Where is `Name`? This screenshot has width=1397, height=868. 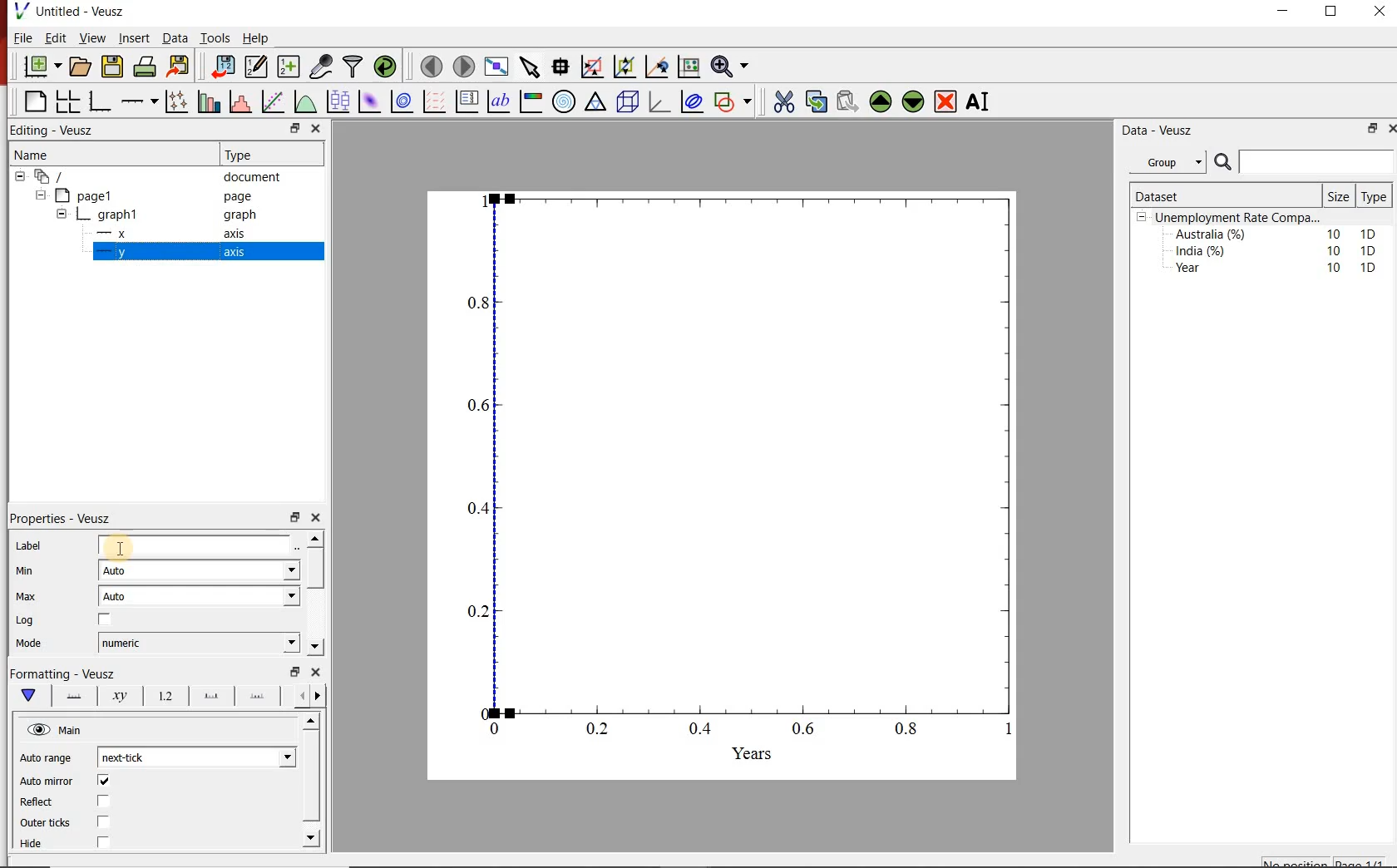 Name is located at coordinates (105, 153).